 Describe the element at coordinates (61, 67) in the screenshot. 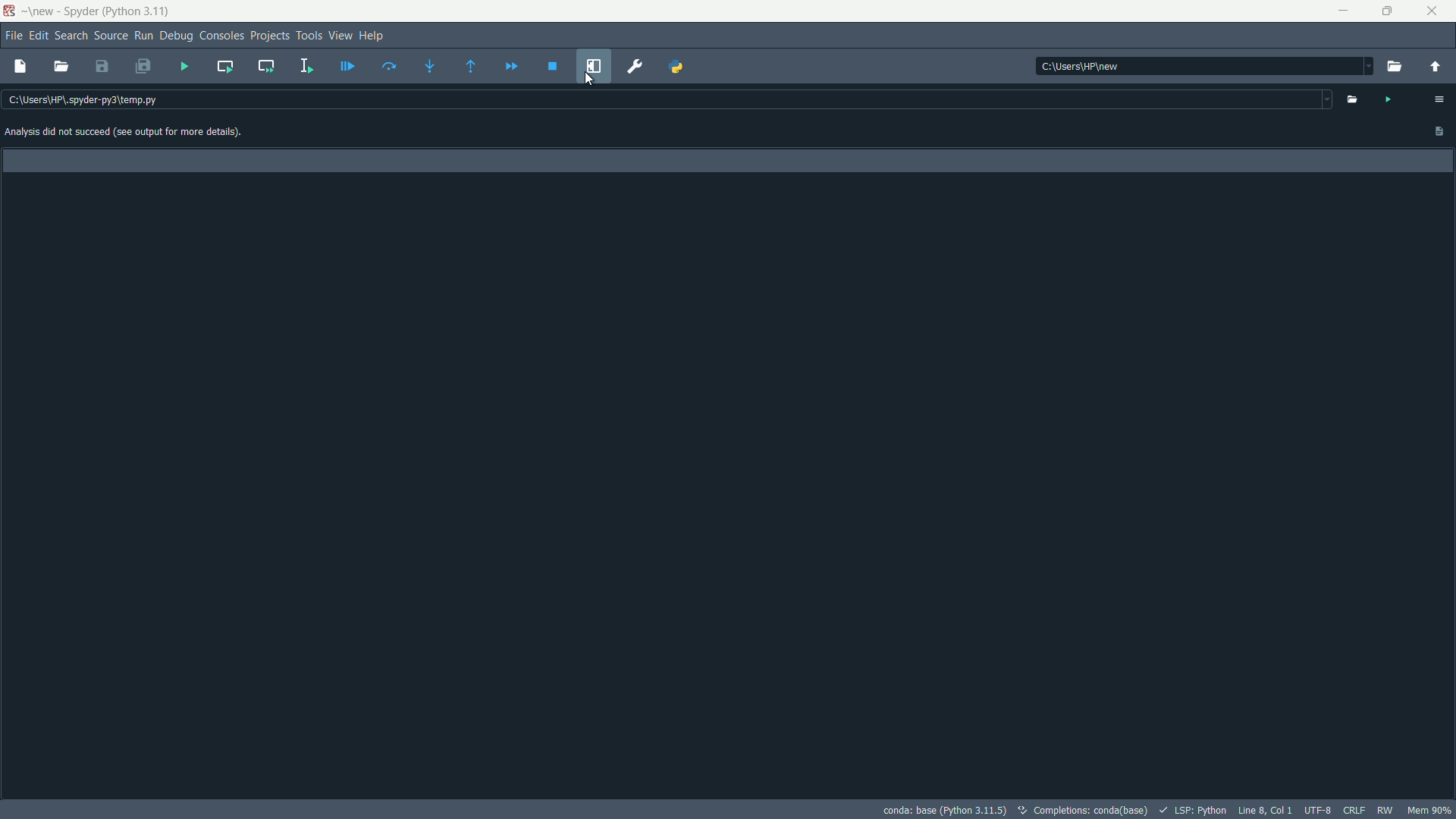

I see `open file` at that location.